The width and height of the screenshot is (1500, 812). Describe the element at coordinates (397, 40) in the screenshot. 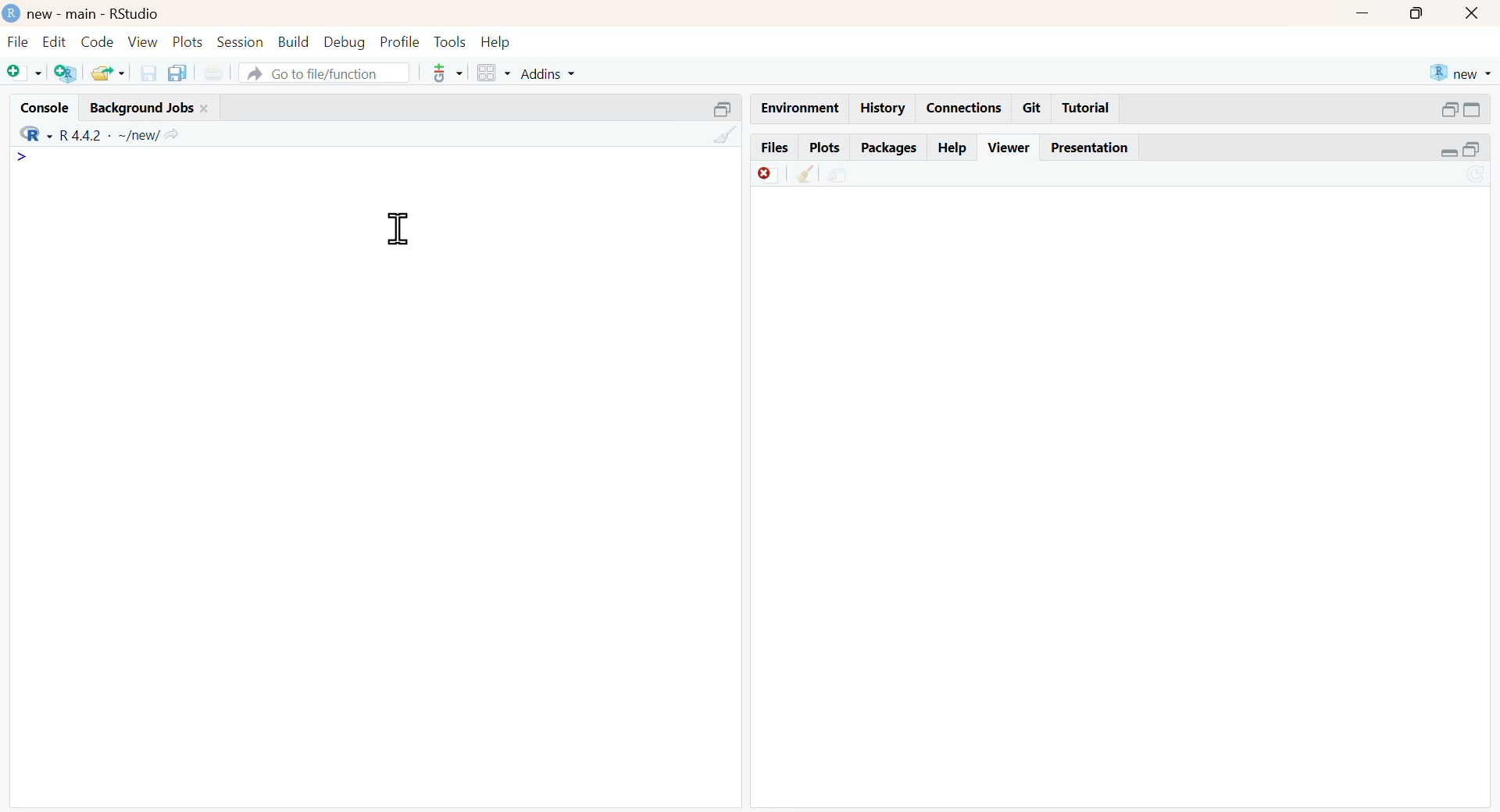

I see `Profile` at that location.